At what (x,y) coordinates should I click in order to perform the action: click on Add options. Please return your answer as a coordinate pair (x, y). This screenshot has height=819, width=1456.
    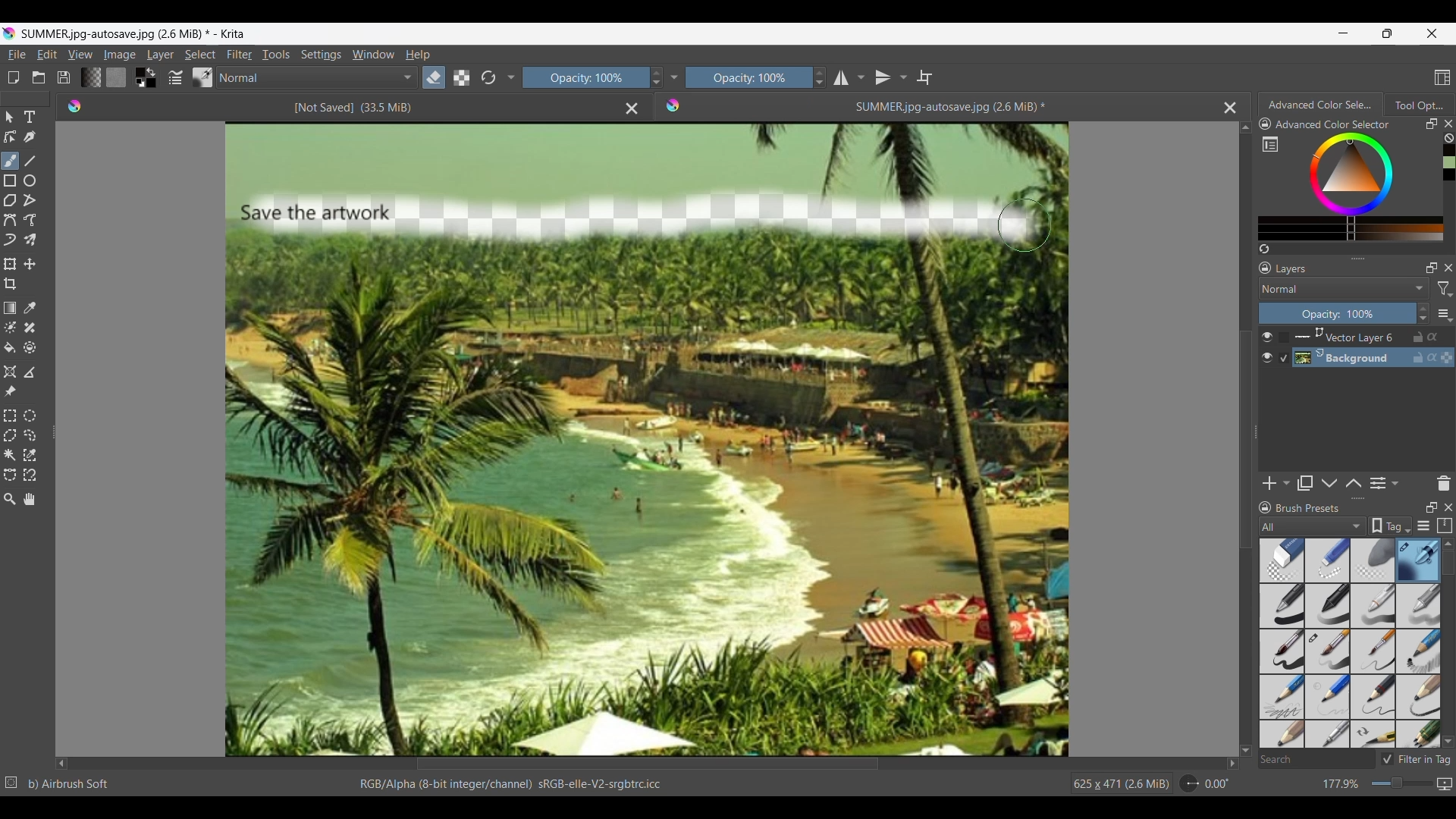
    Looking at the image, I should click on (1276, 483).